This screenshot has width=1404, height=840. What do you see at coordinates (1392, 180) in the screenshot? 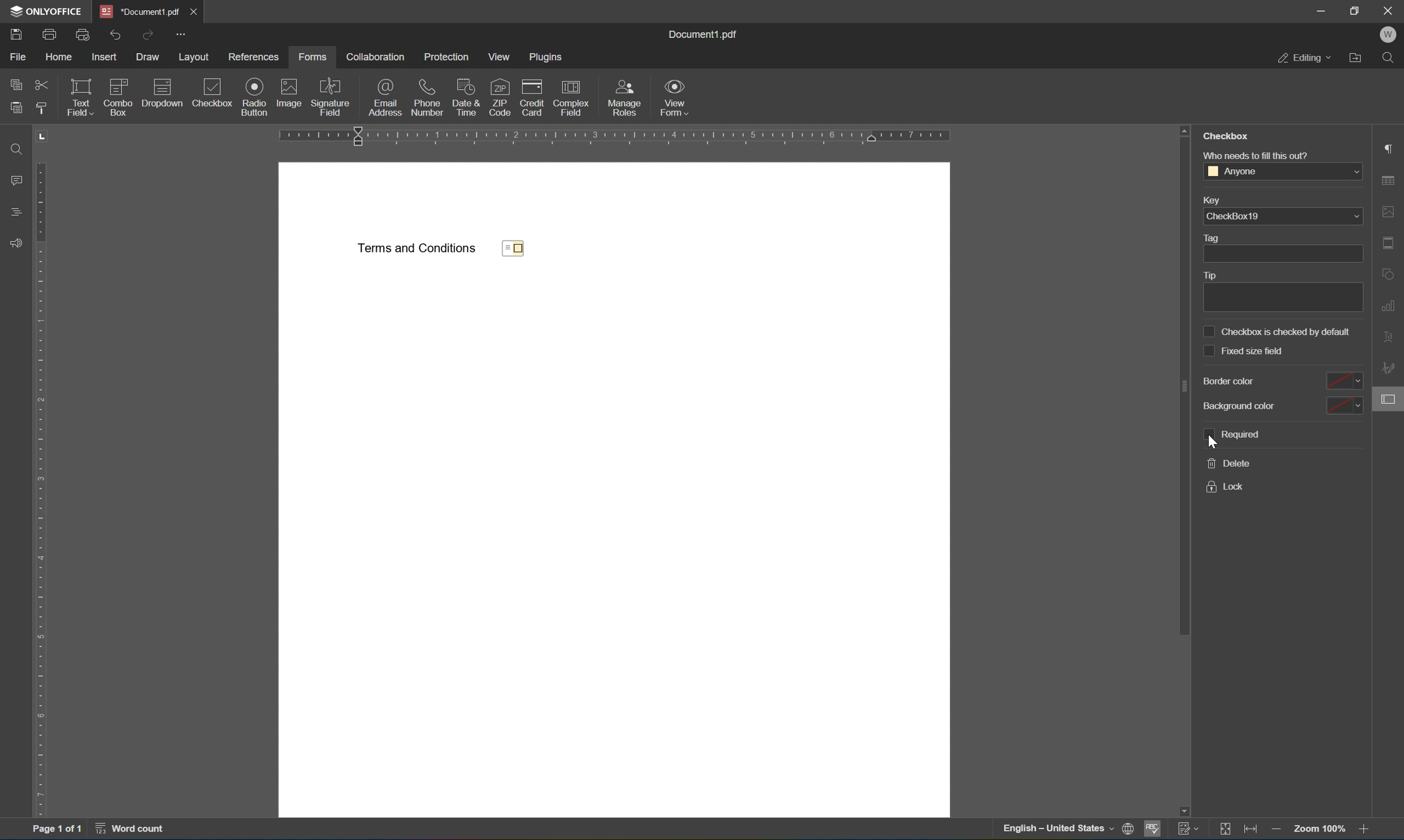
I see `table settings` at bounding box center [1392, 180].